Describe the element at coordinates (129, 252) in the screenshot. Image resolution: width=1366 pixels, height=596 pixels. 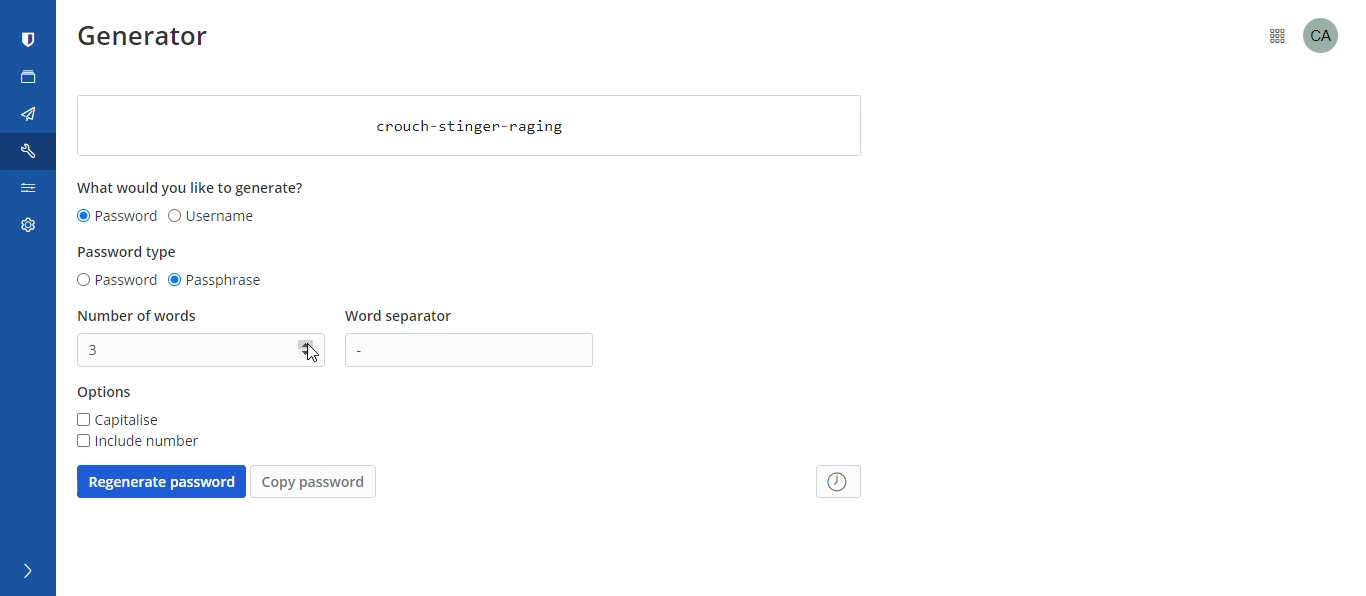
I see `password type` at that location.